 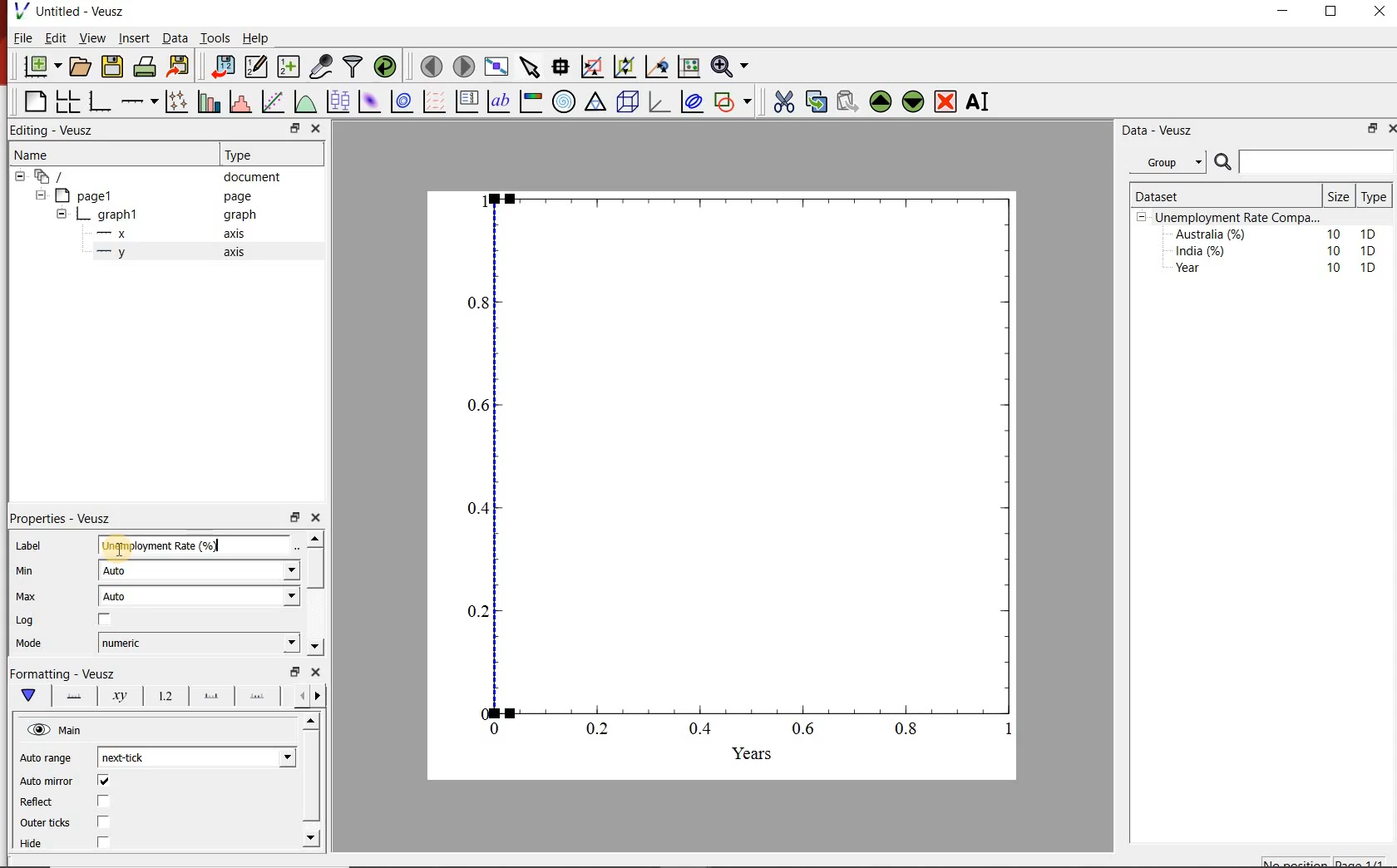 I want to click on rename the widgets, so click(x=981, y=101).